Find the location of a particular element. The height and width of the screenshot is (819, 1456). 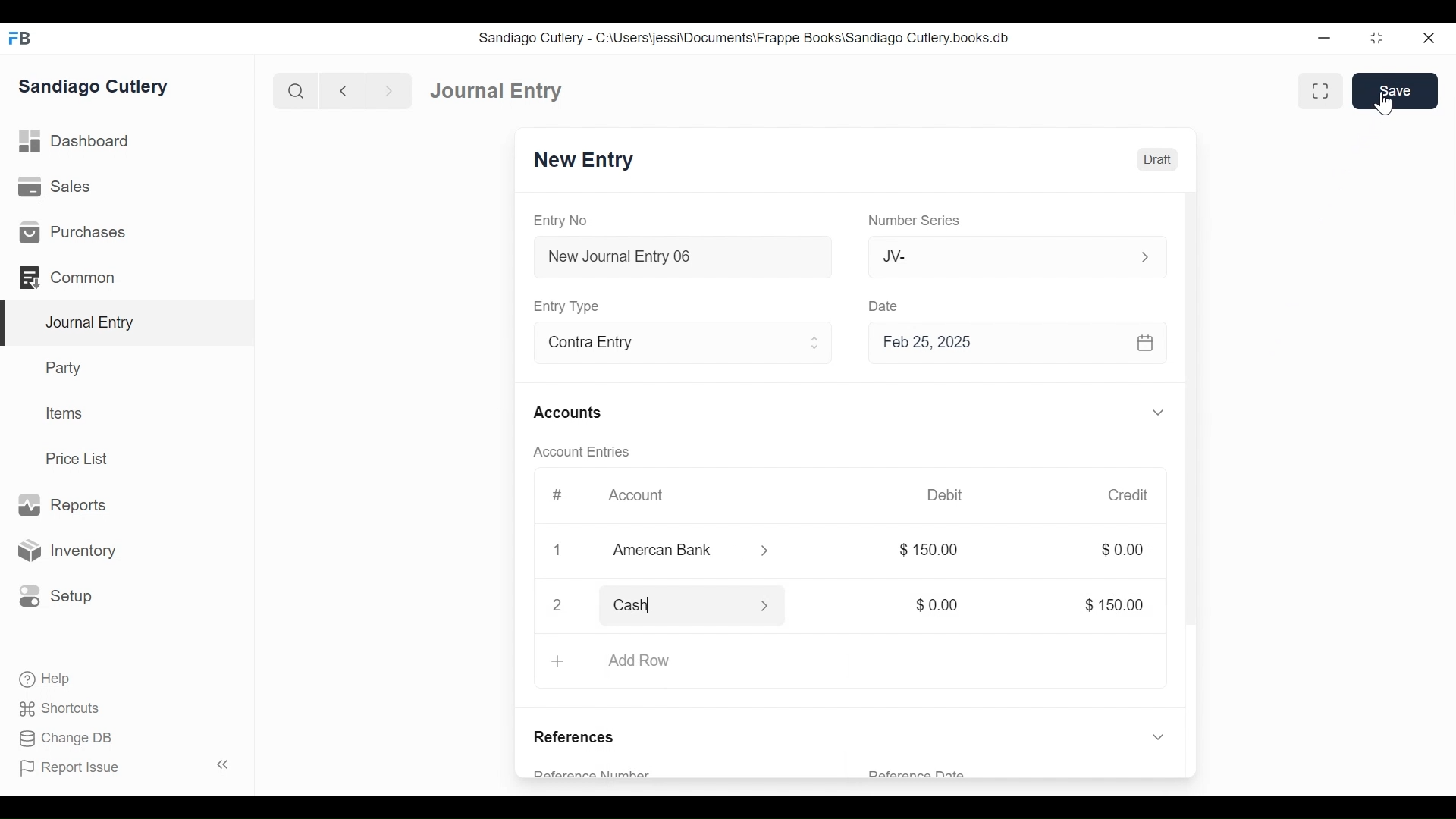

Navigate Forward is located at coordinates (390, 92).